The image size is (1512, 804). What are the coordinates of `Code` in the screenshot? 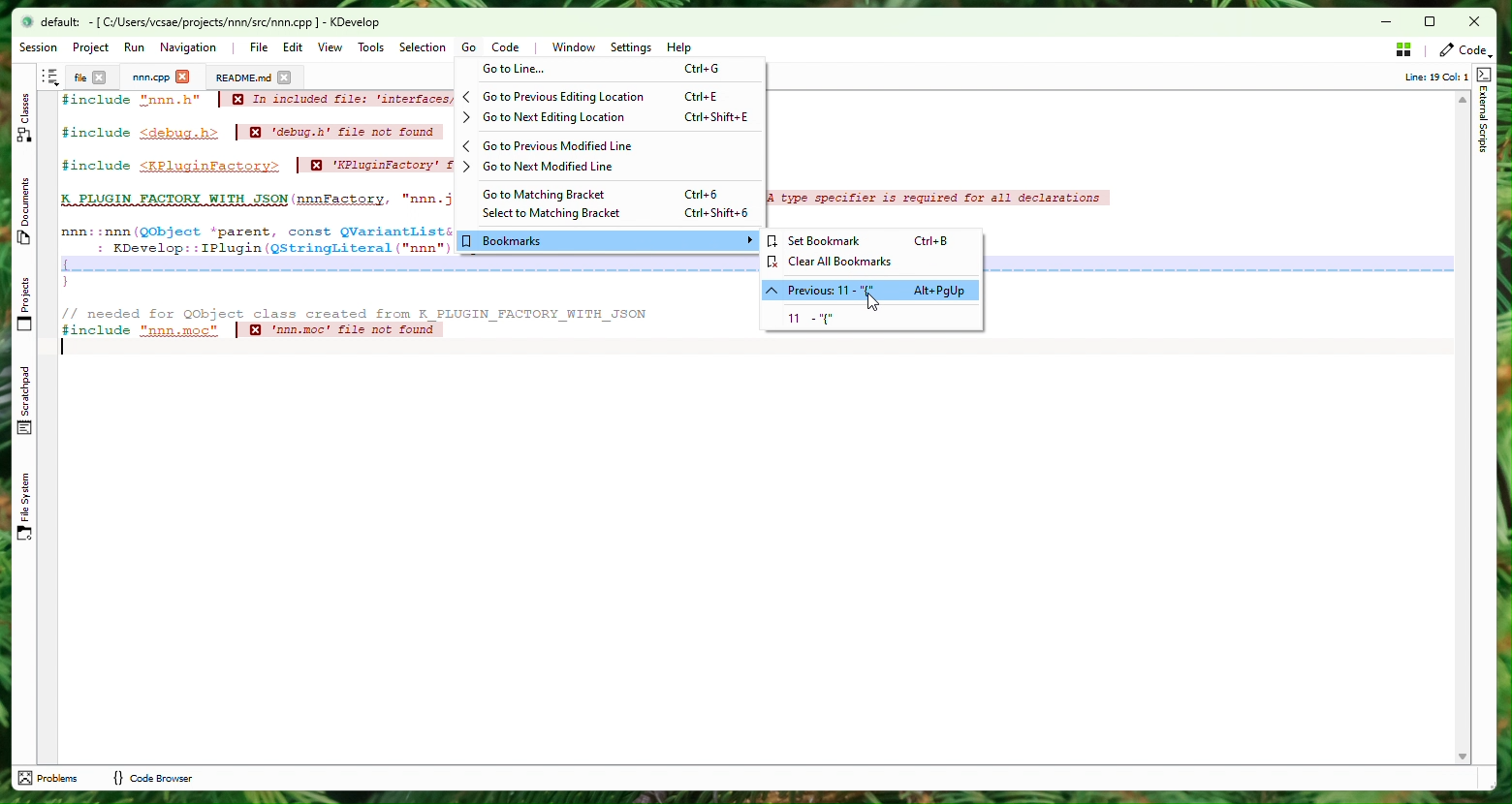 It's located at (511, 49).